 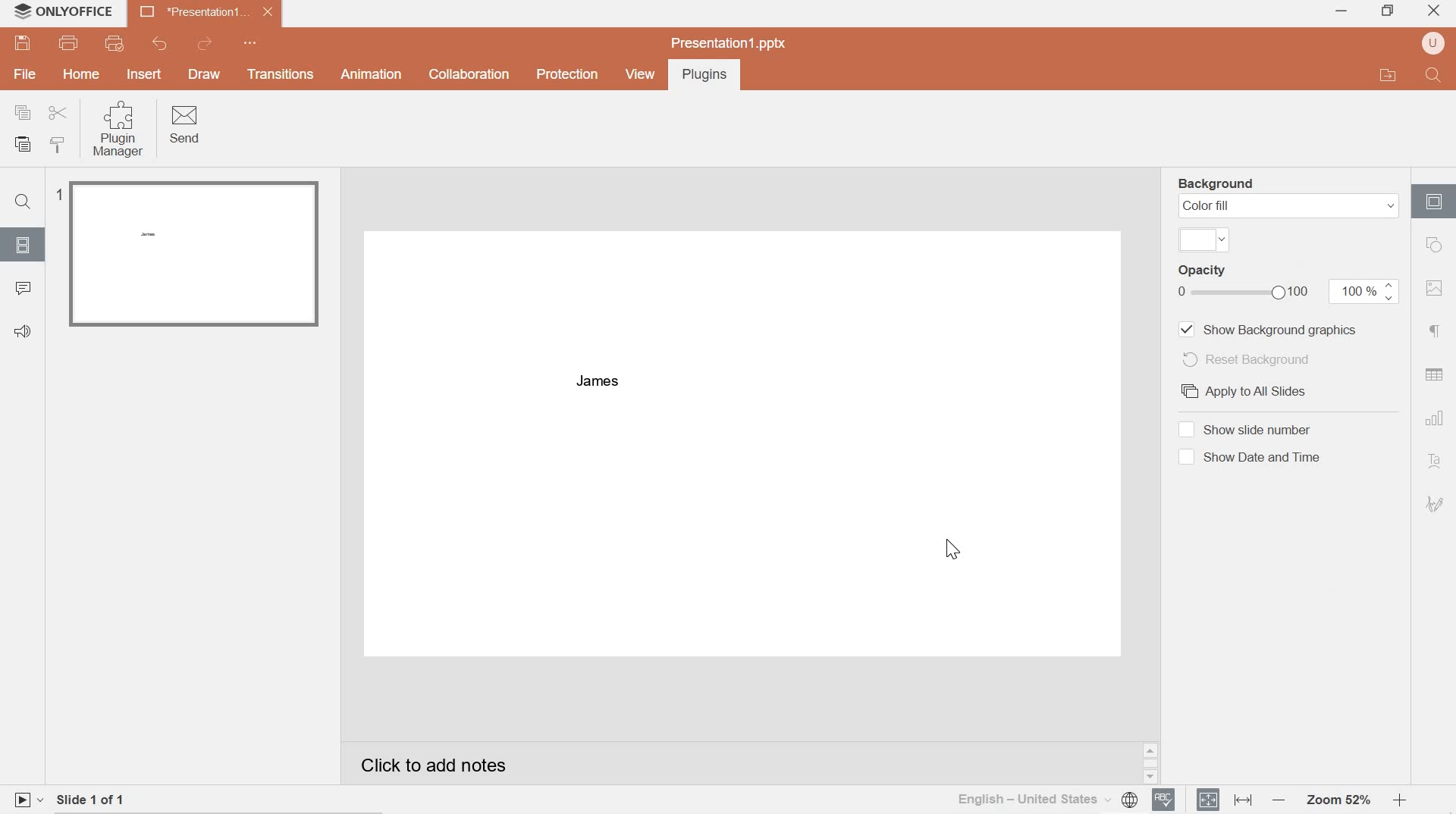 What do you see at coordinates (26, 76) in the screenshot?
I see `file` at bounding box center [26, 76].